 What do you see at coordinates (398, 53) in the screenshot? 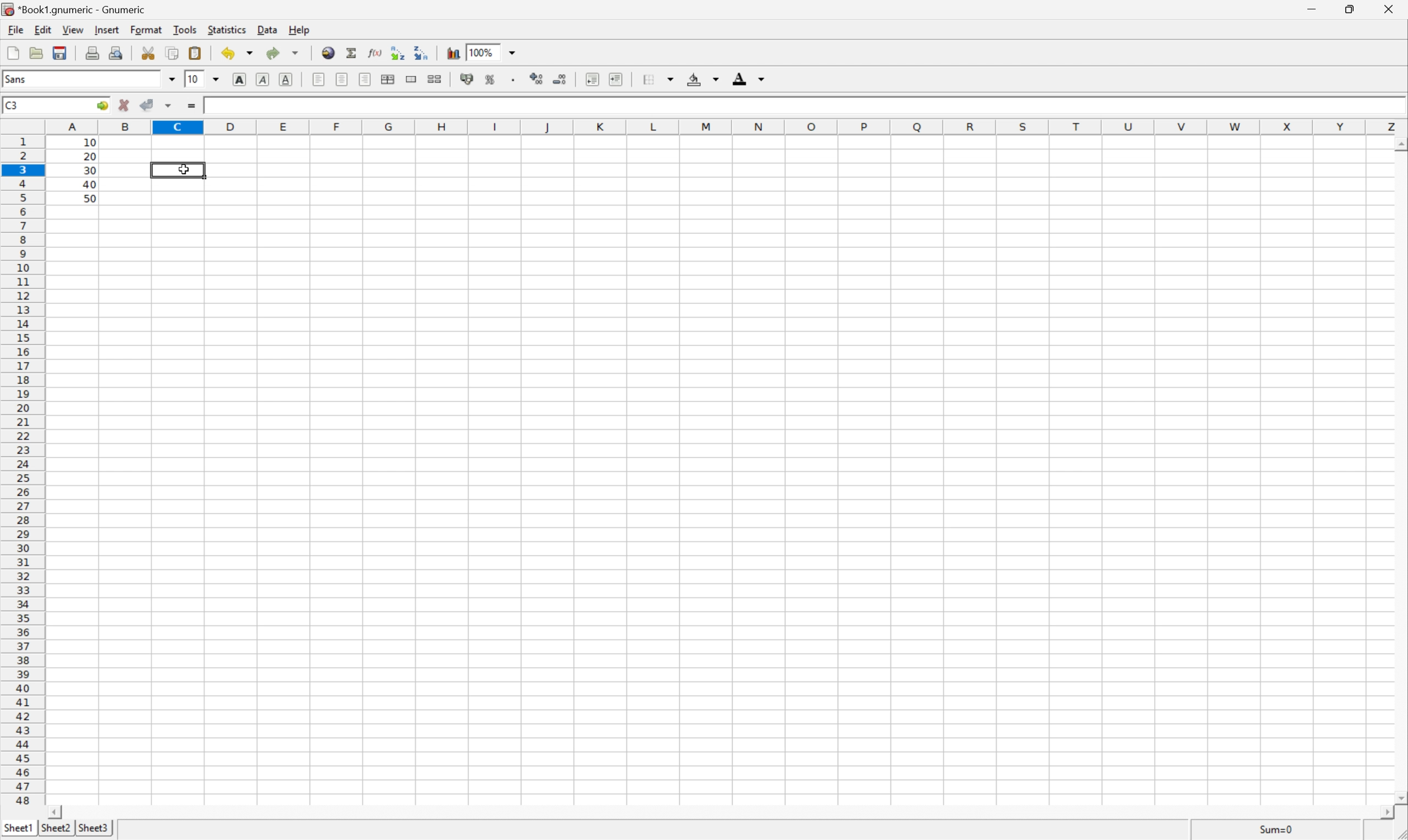
I see `Sort the selected region in ascending order based on the first column selected` at bounding box center [398, 53].